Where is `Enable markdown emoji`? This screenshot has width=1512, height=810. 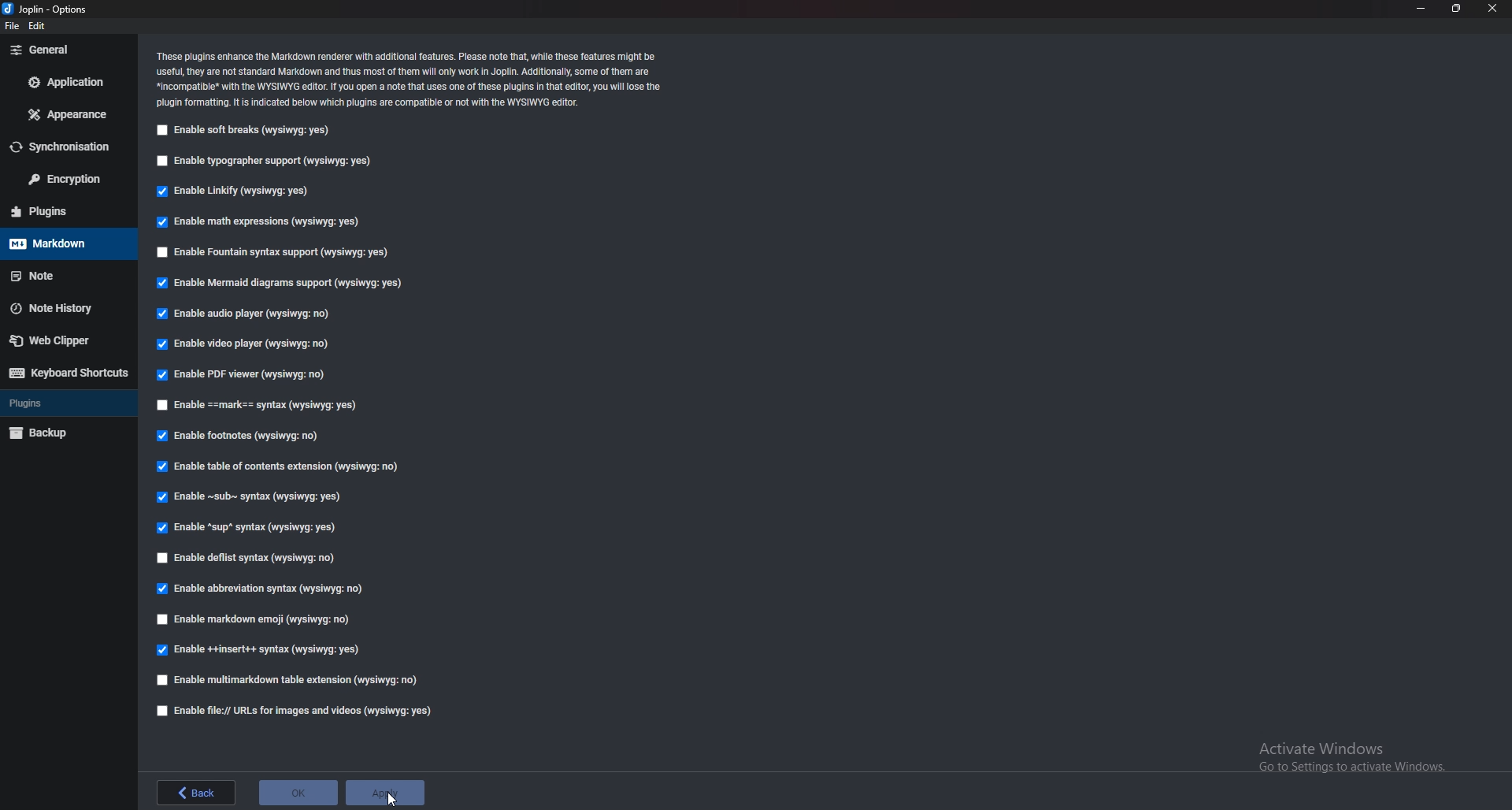 Enable markdown emoji is located at coordinates (261, 618).